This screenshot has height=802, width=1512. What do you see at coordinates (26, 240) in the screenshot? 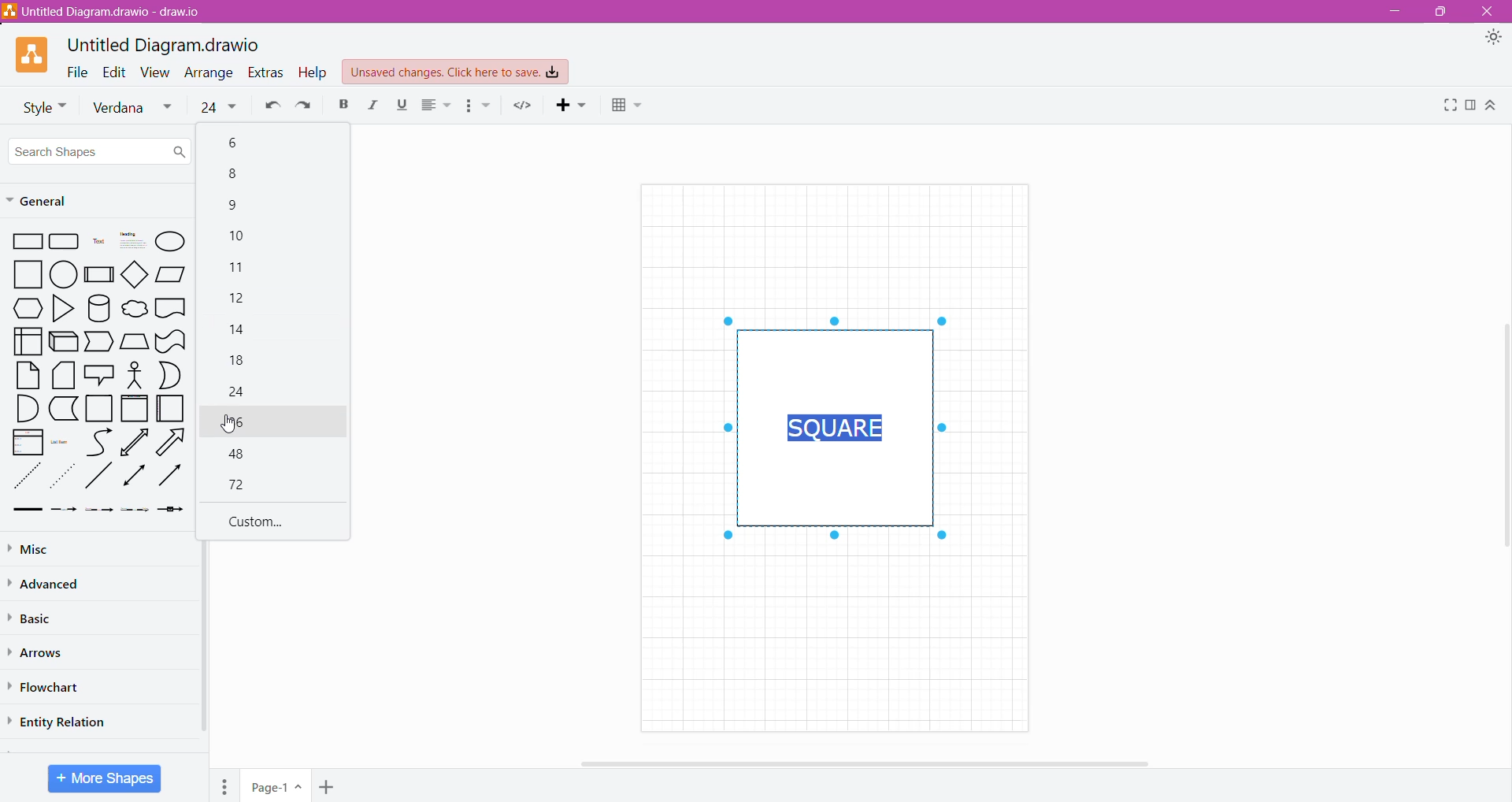
I see `Rectangle` at bounding box center [26, 240].